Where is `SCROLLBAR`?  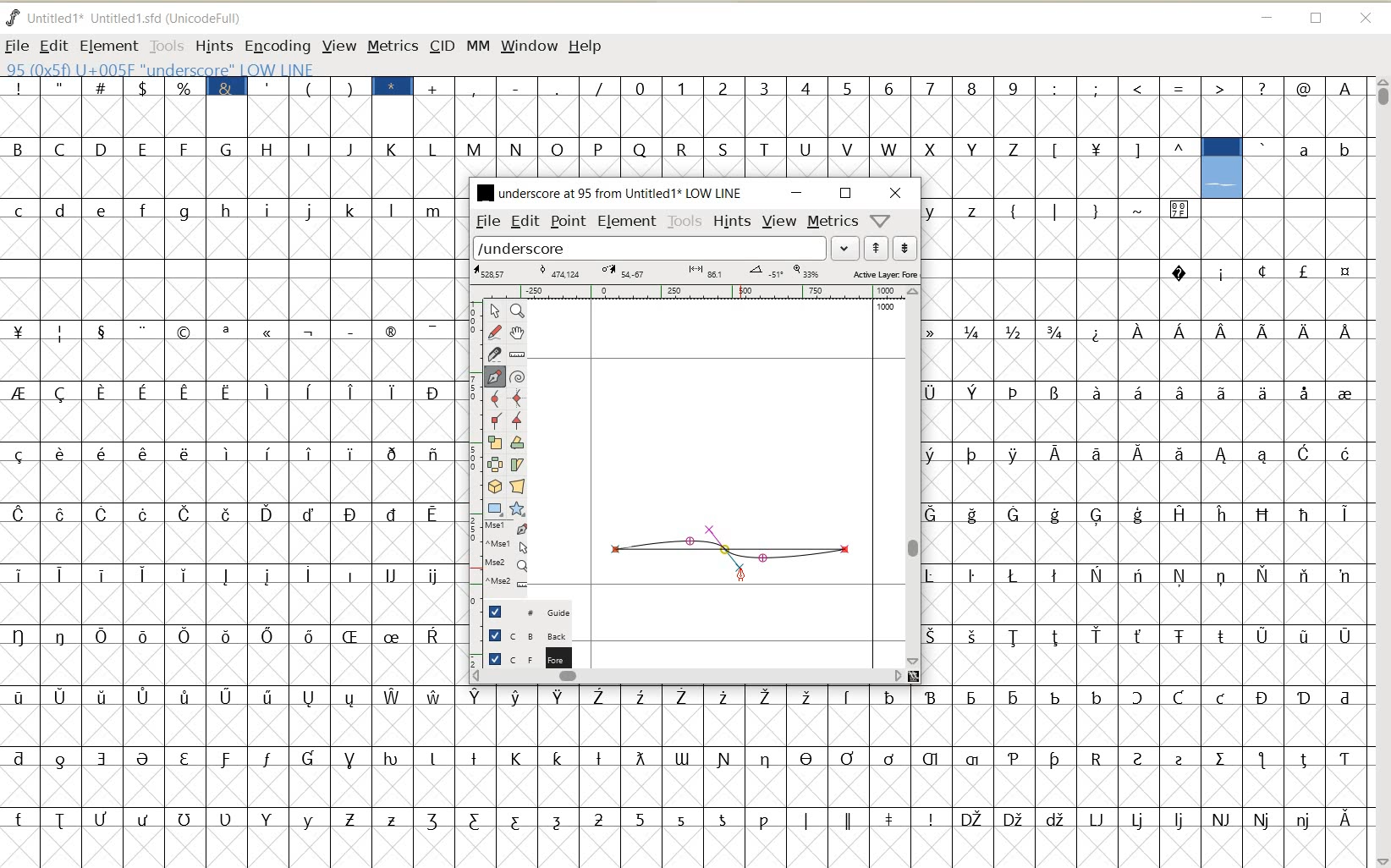
SCROLLBAR is located at coordinates (687, 675).